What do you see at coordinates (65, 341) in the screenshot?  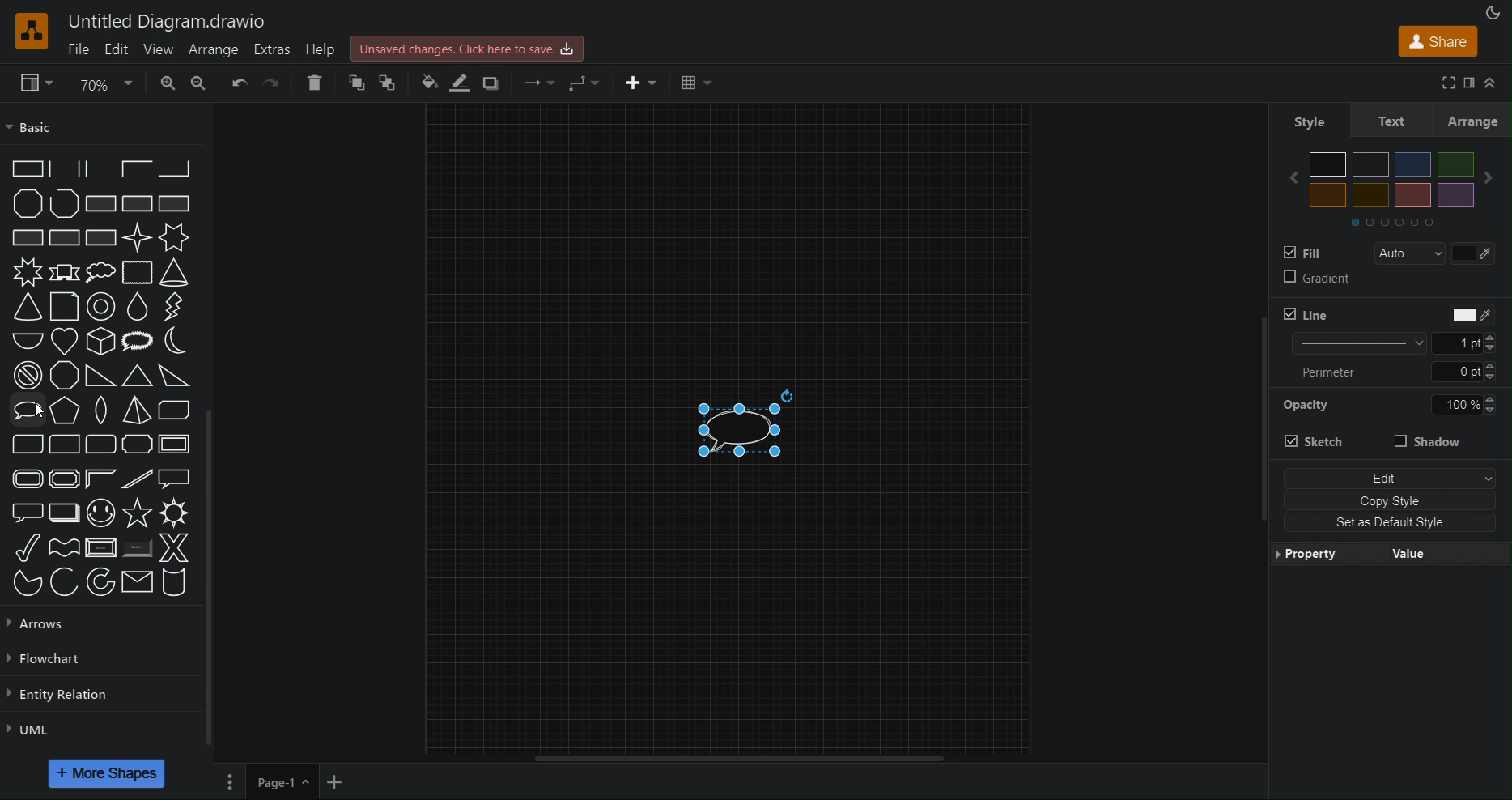 I see `Heart` at bounding box center [65, 341].